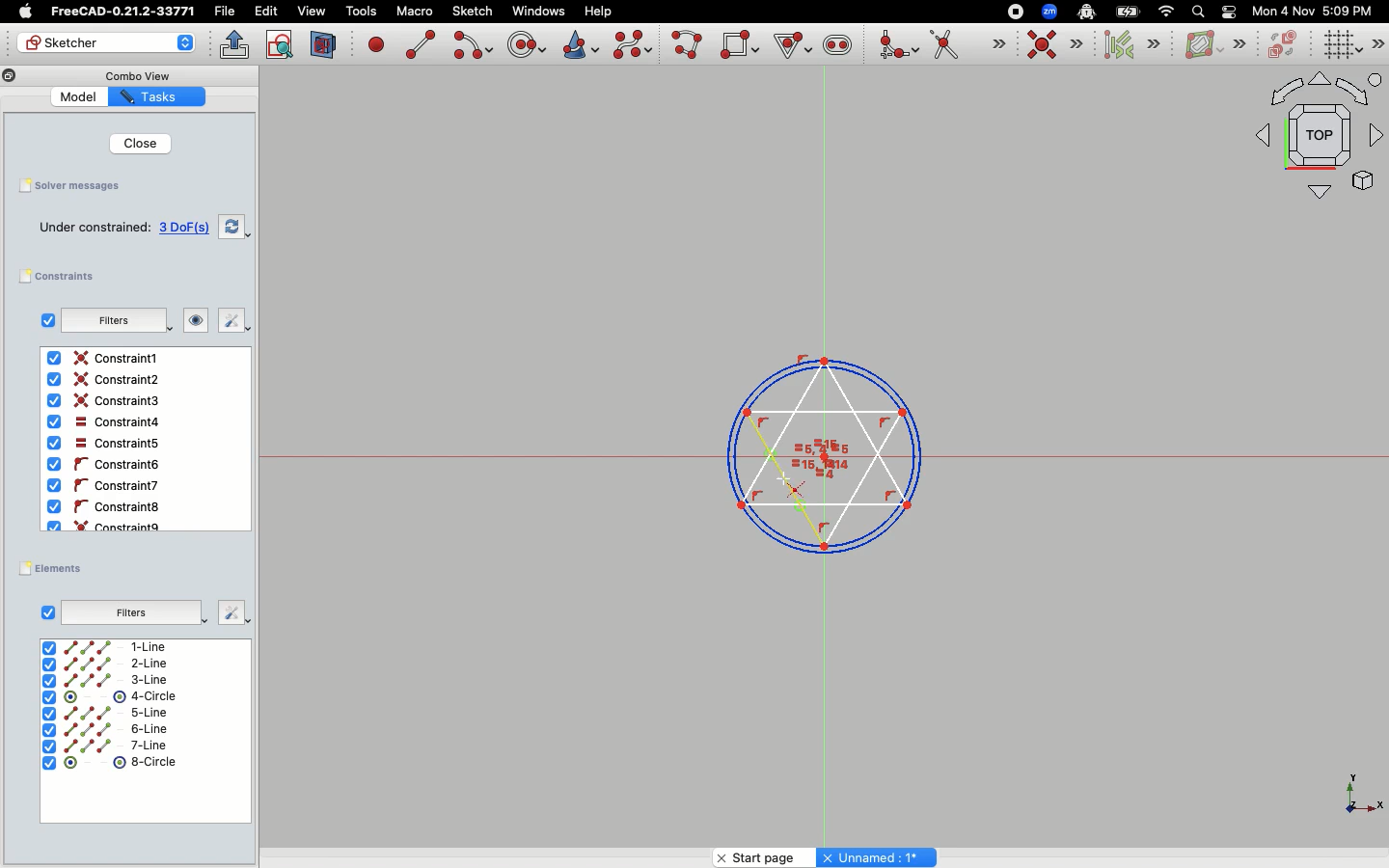  Describe the element at coordinates (1213, 45) in the screenshot. I see `B-spline information layer` at that location.